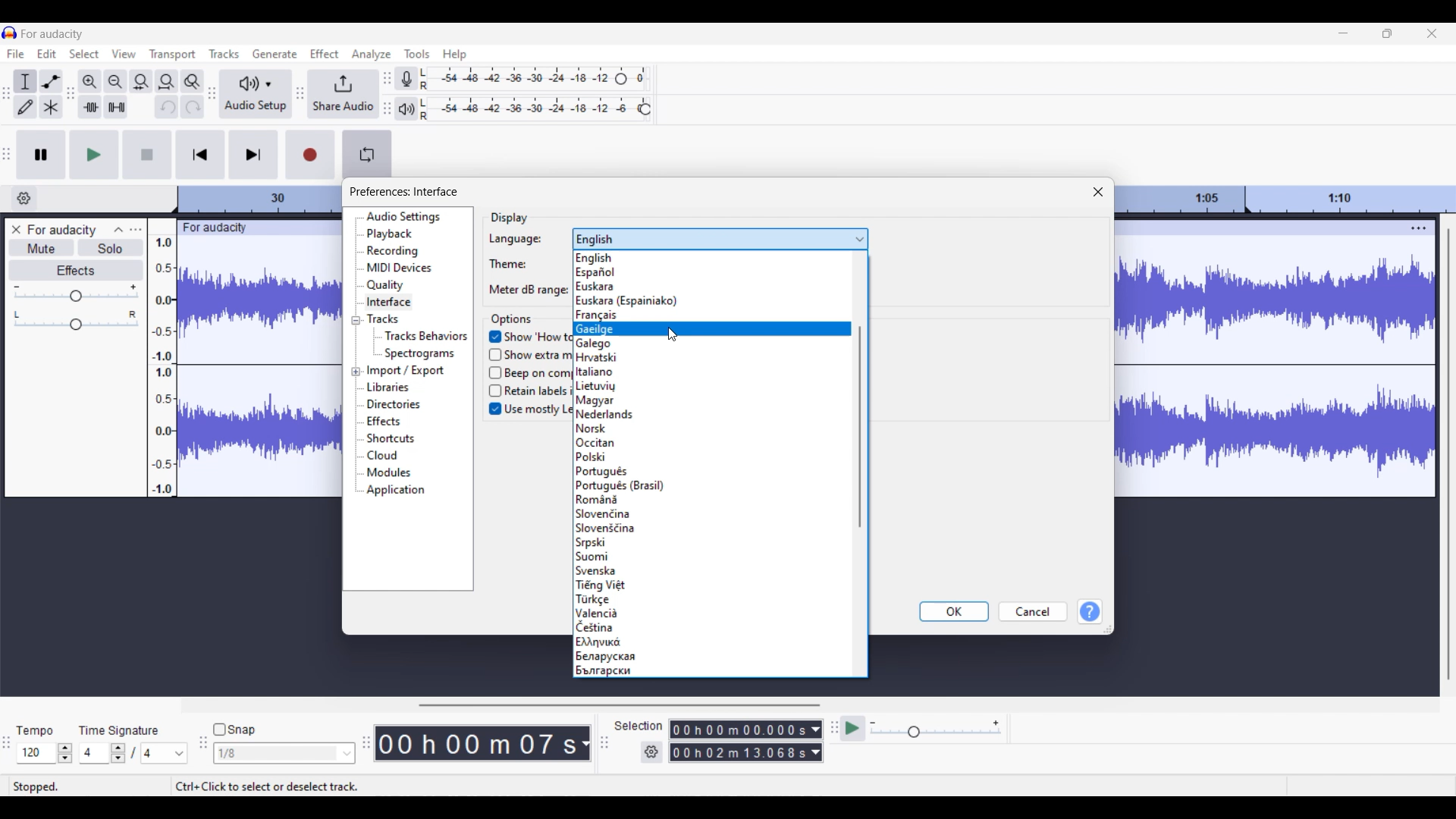 The height and width of the screenshot is (819, 1456). Describe the element at coordinates (595, 541) in the screenshot. I see `Srpski` at that location.